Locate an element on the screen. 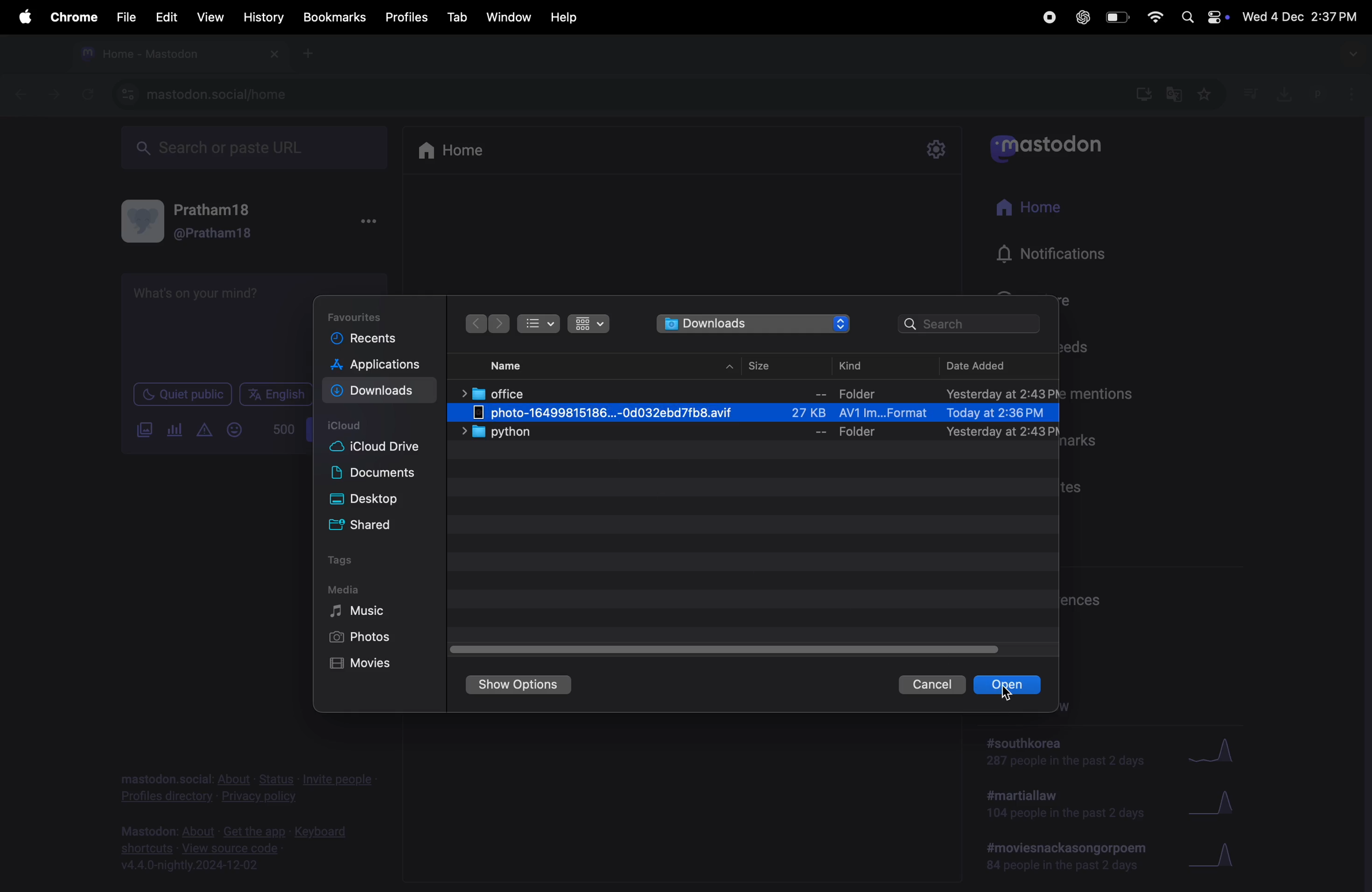 The image size is (1372, 892). download mastodon is located at coordinates (1139, 93).